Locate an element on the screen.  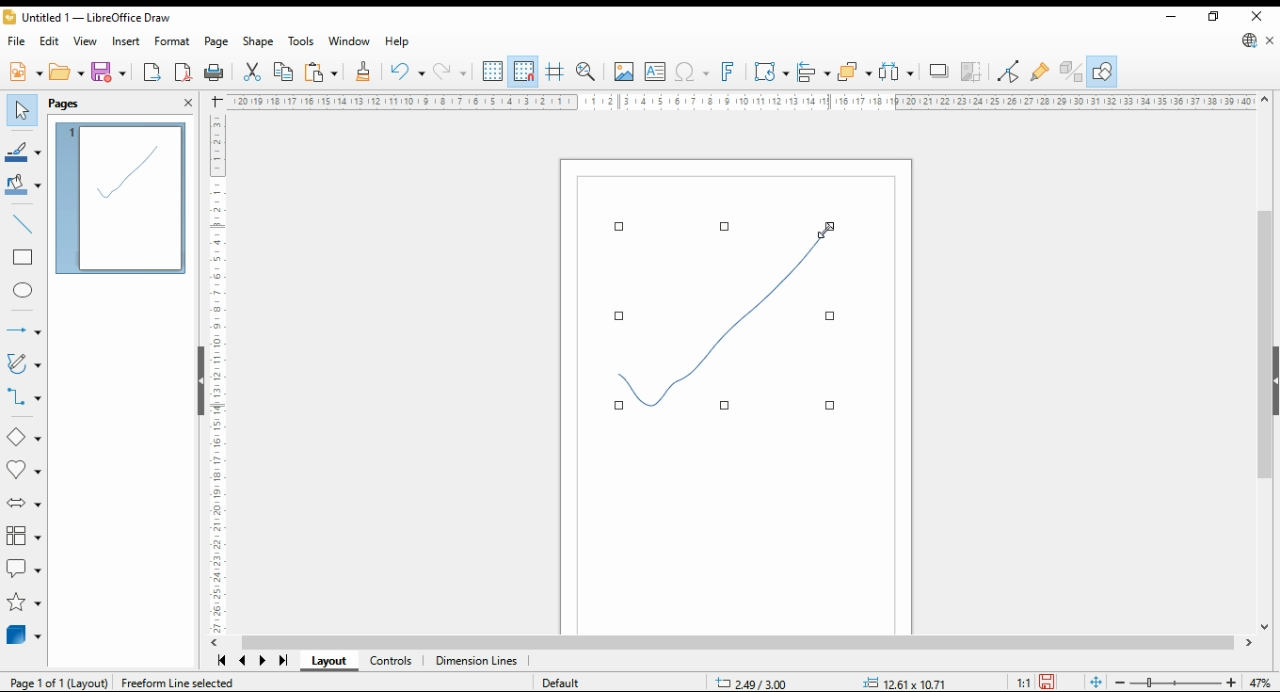
shape is located at coordinates (720, 315).